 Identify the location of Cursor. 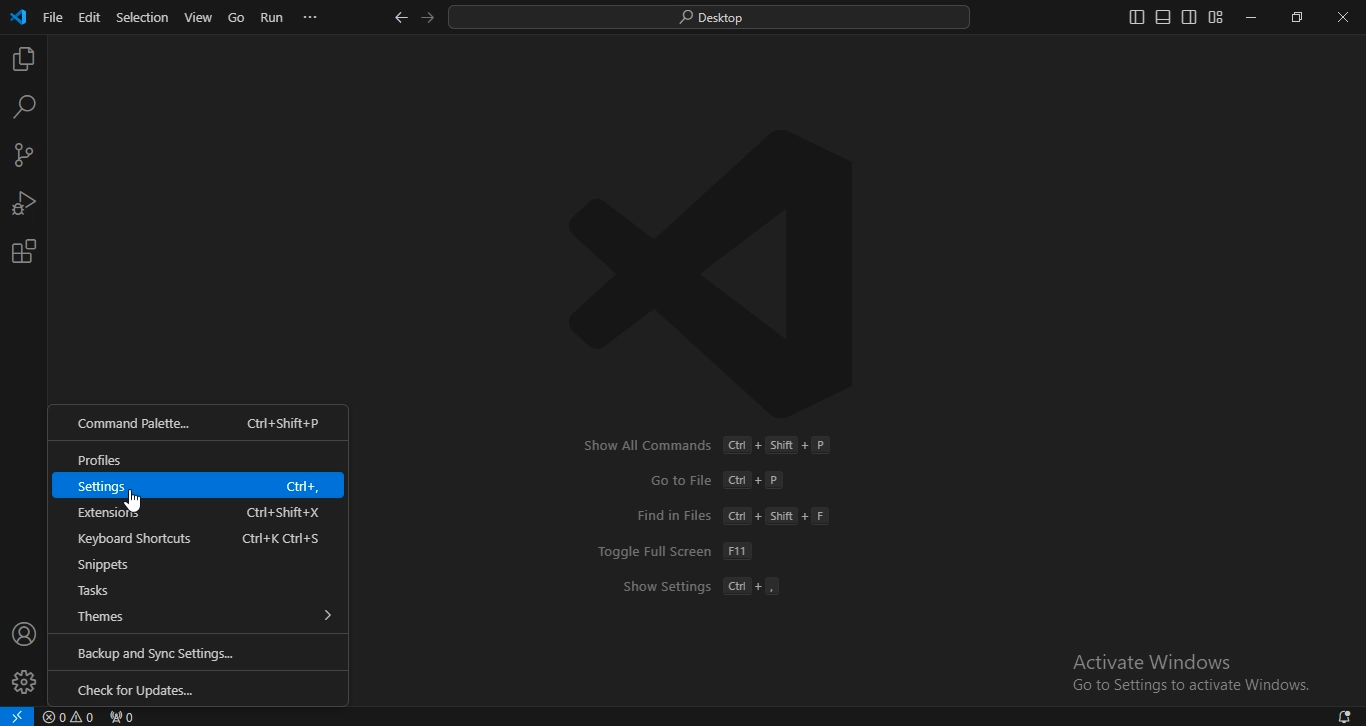
(132, 503).